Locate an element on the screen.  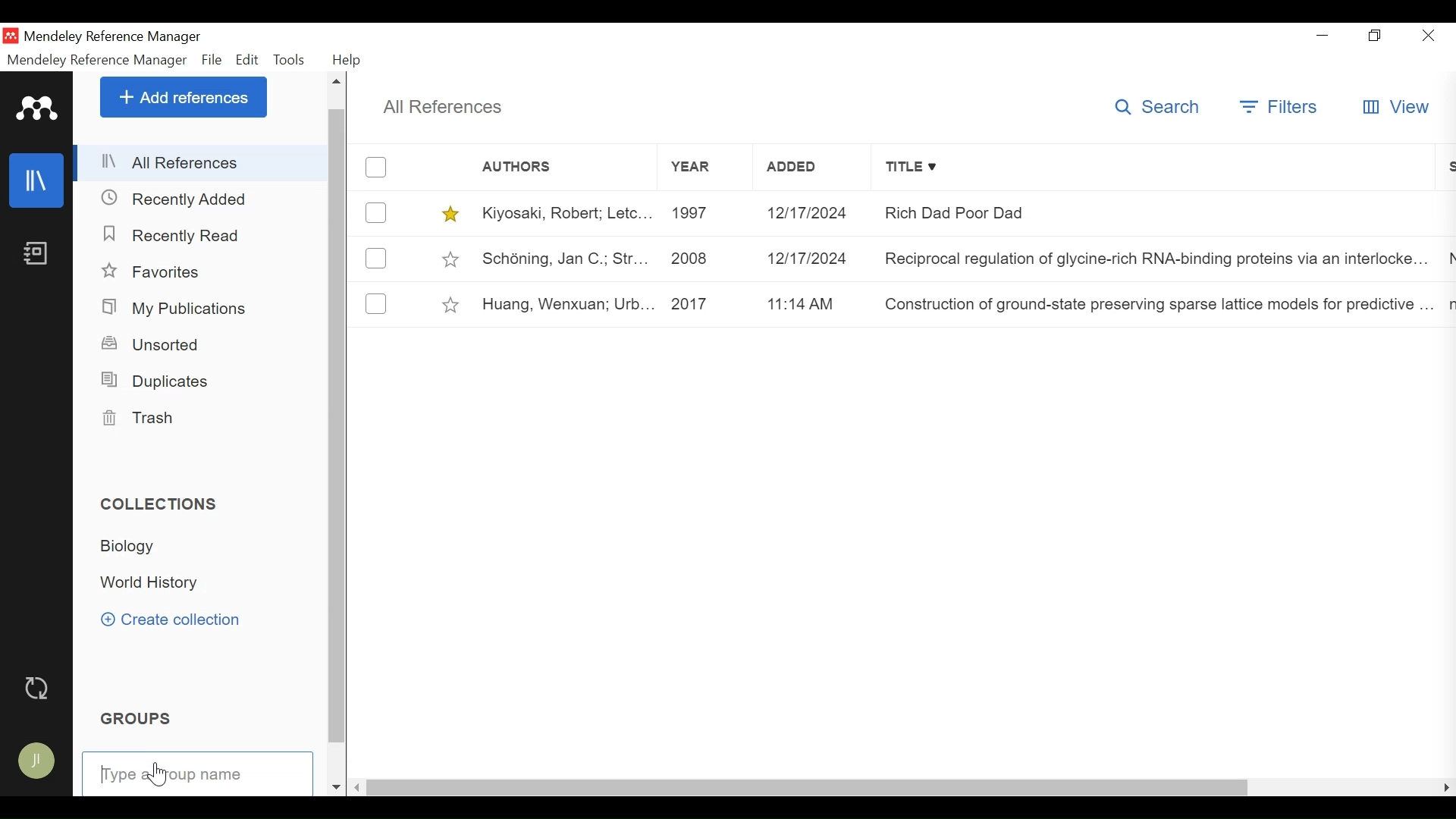
Edit is located at coordinates (246, 60).